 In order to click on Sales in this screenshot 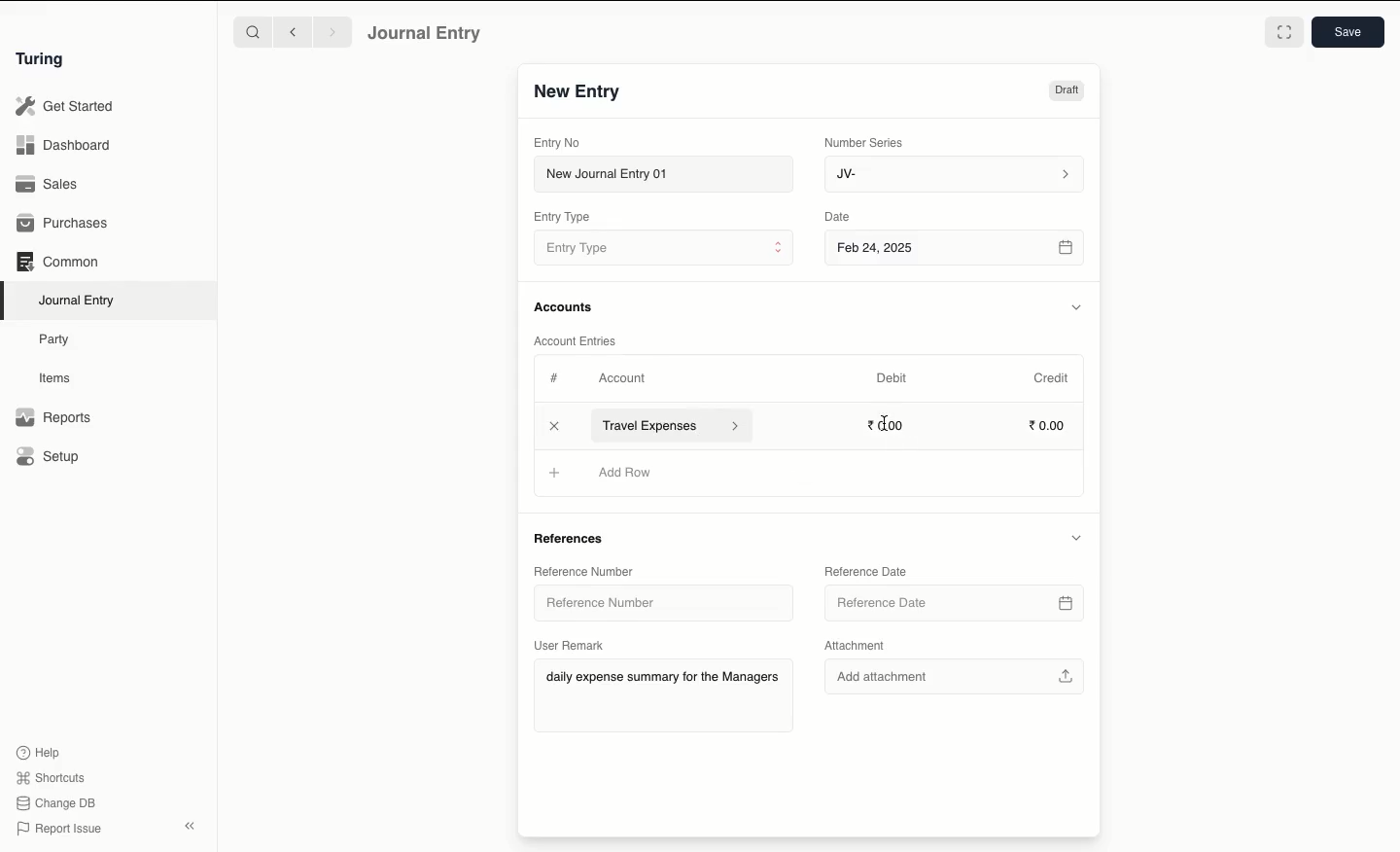, I will do `click(50, 184)`.